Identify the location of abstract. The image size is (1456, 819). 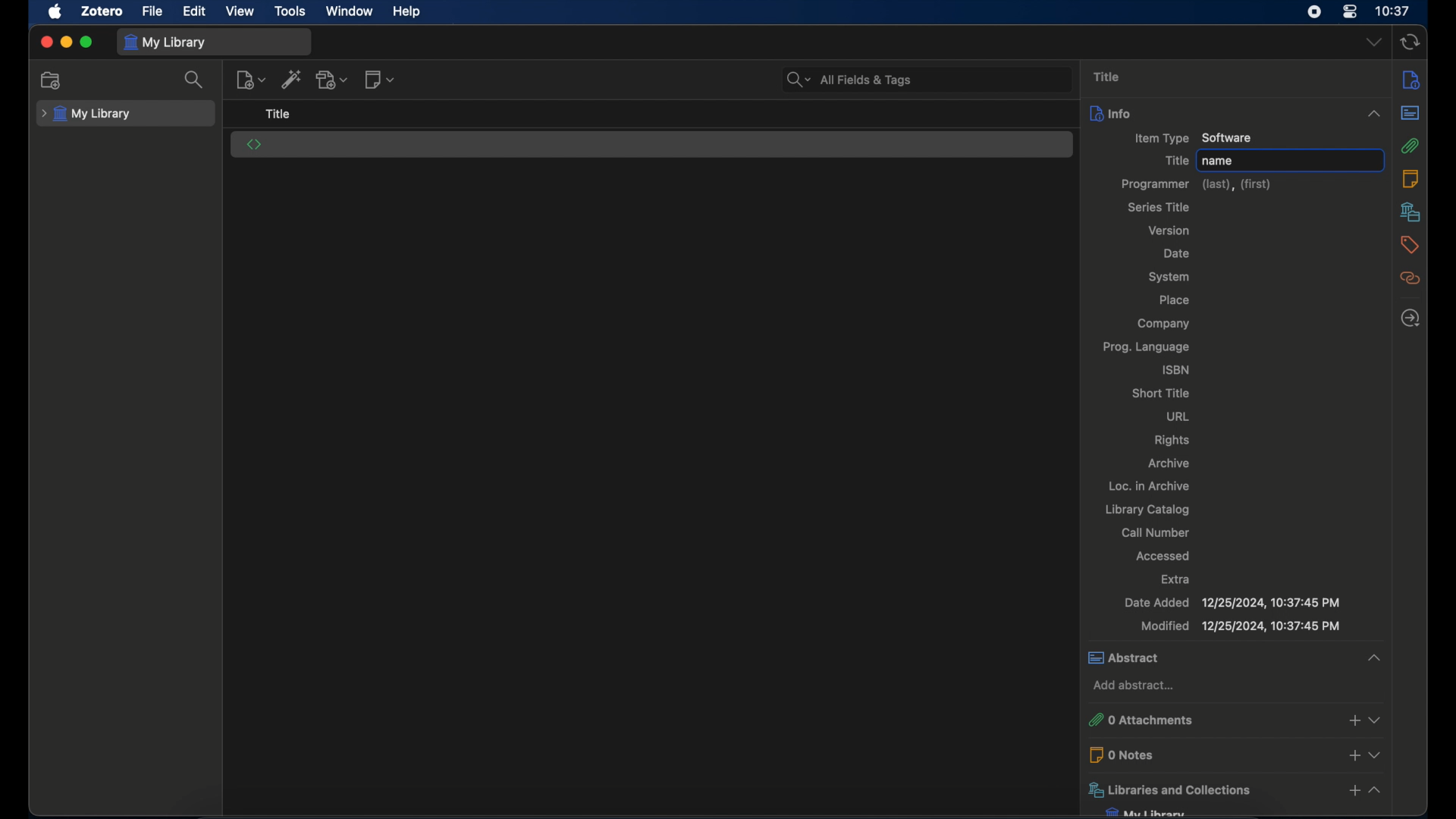
(1211, 657).